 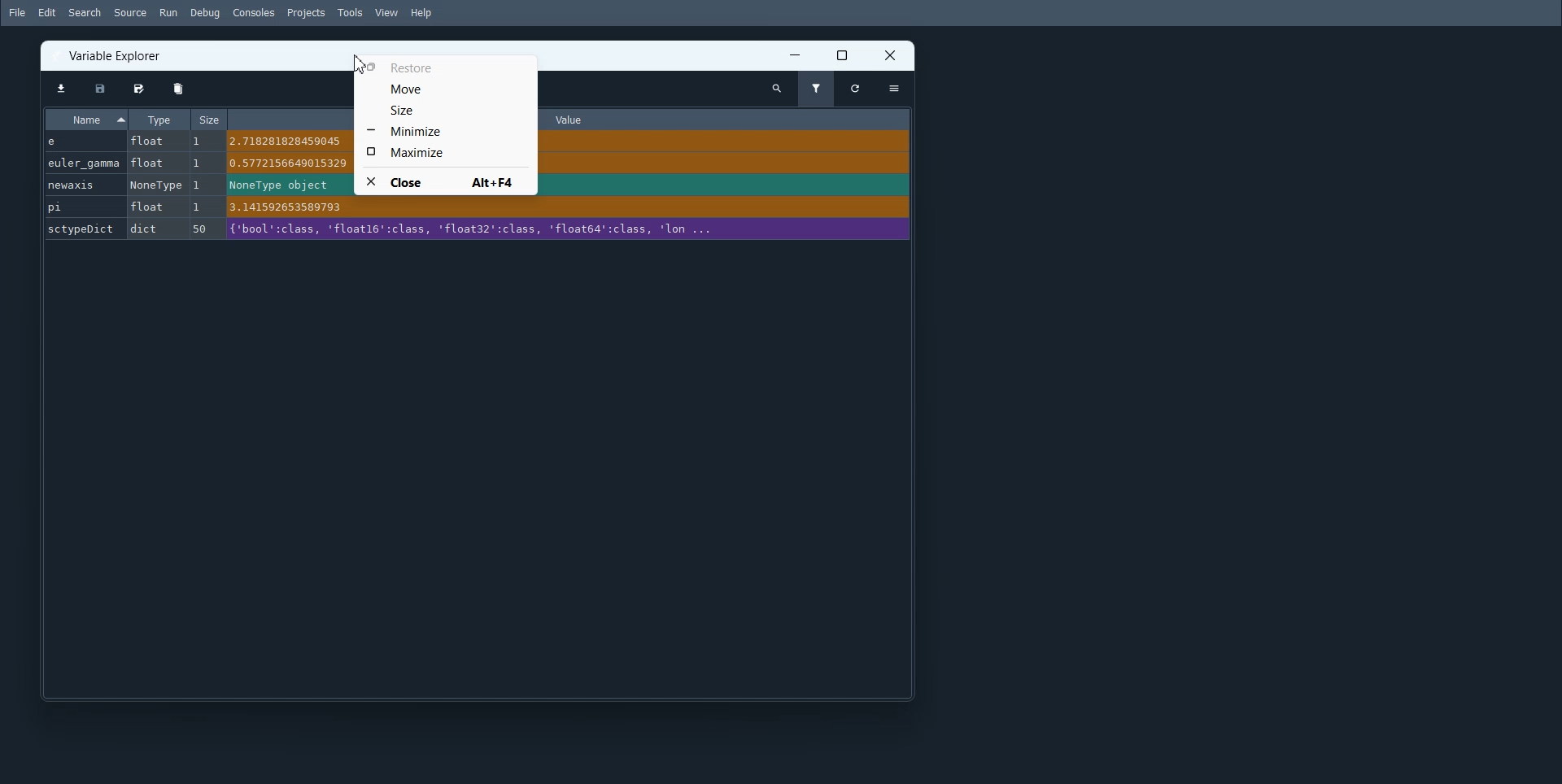 I want to click on Tools, so click(x=348, y=12).